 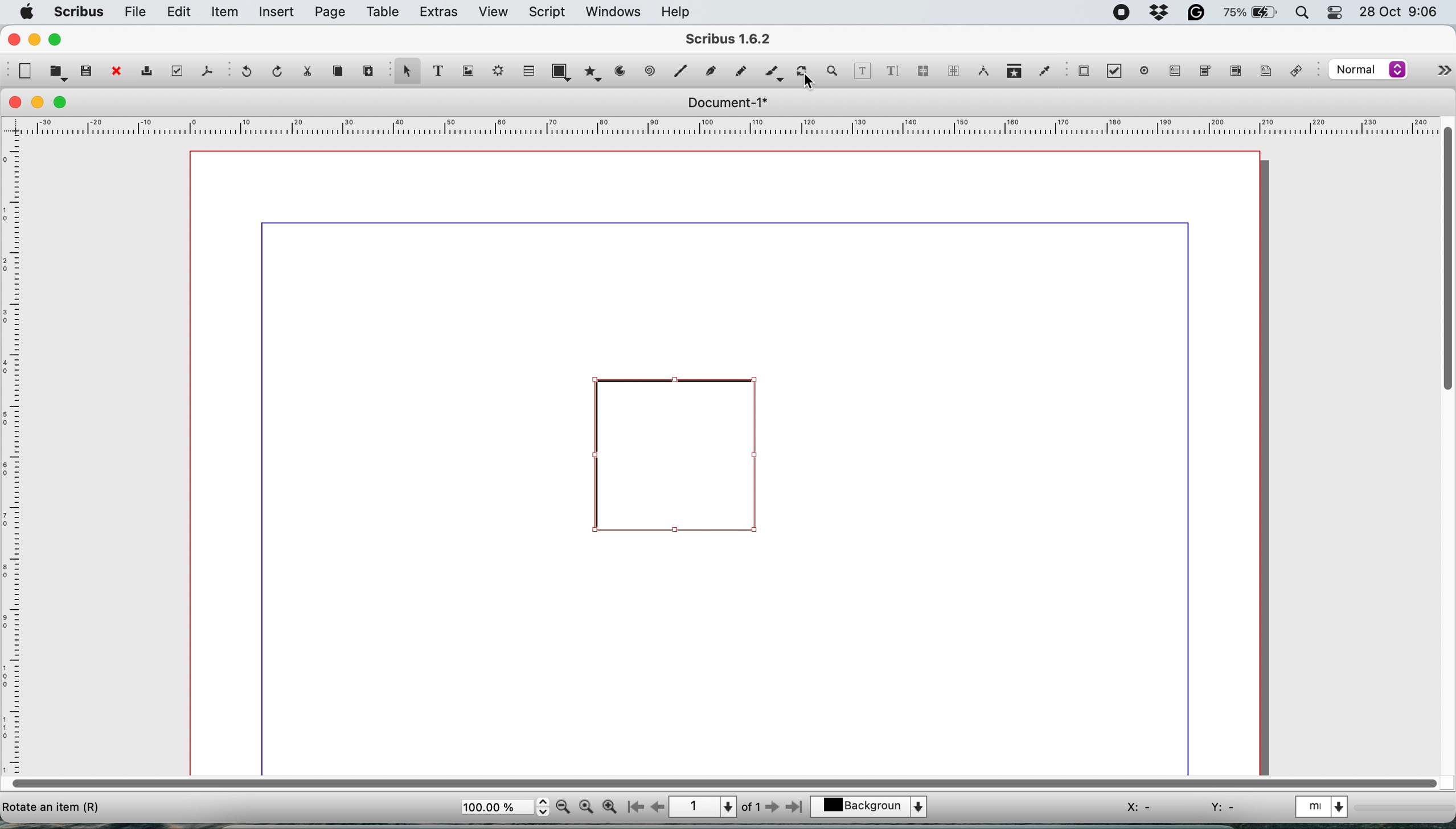 What do you see at coordinates (1012, 72) in the screenshot?
I see `copy item properties` at bounding box center [1012, 72].